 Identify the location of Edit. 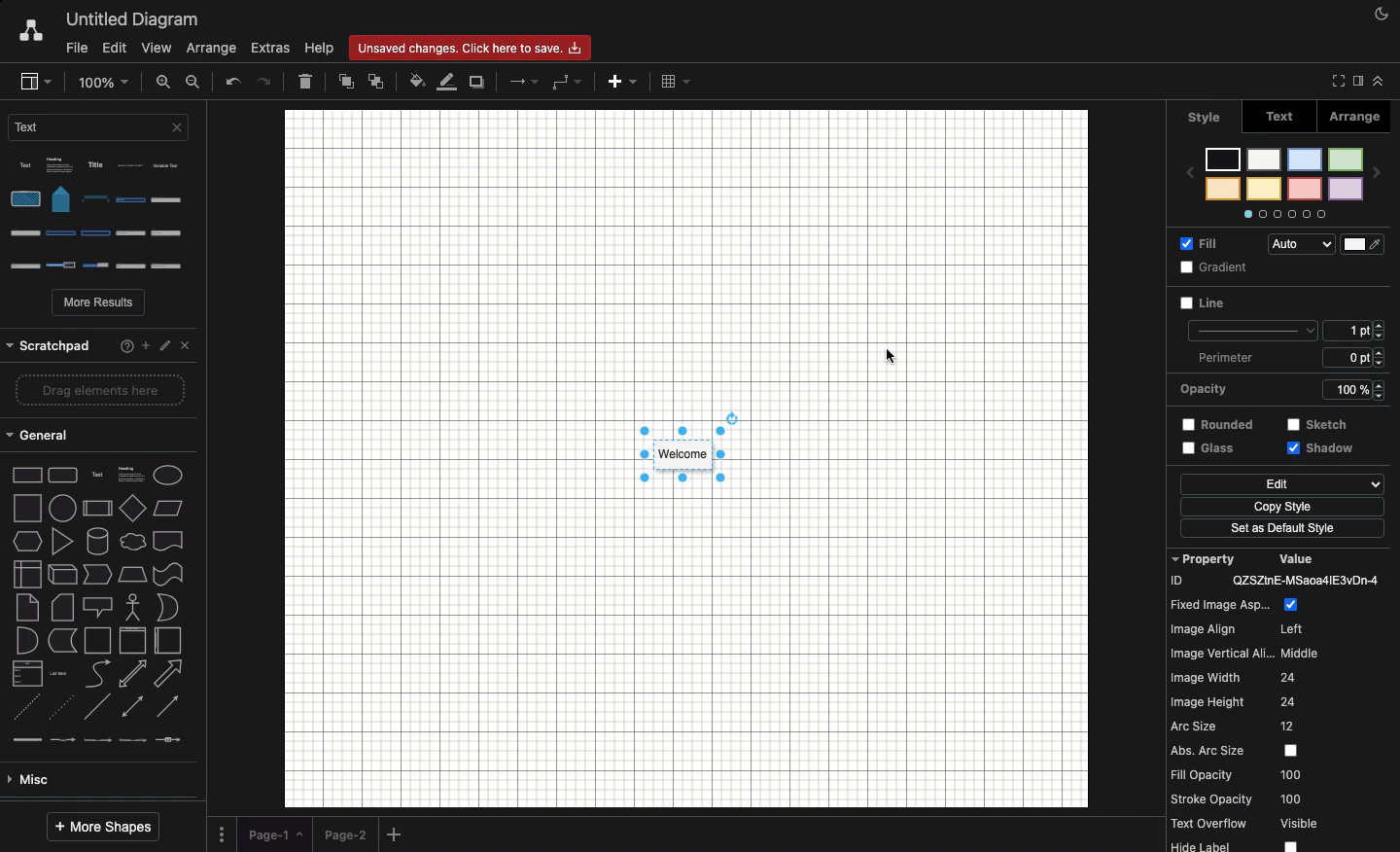
(1207, 450).